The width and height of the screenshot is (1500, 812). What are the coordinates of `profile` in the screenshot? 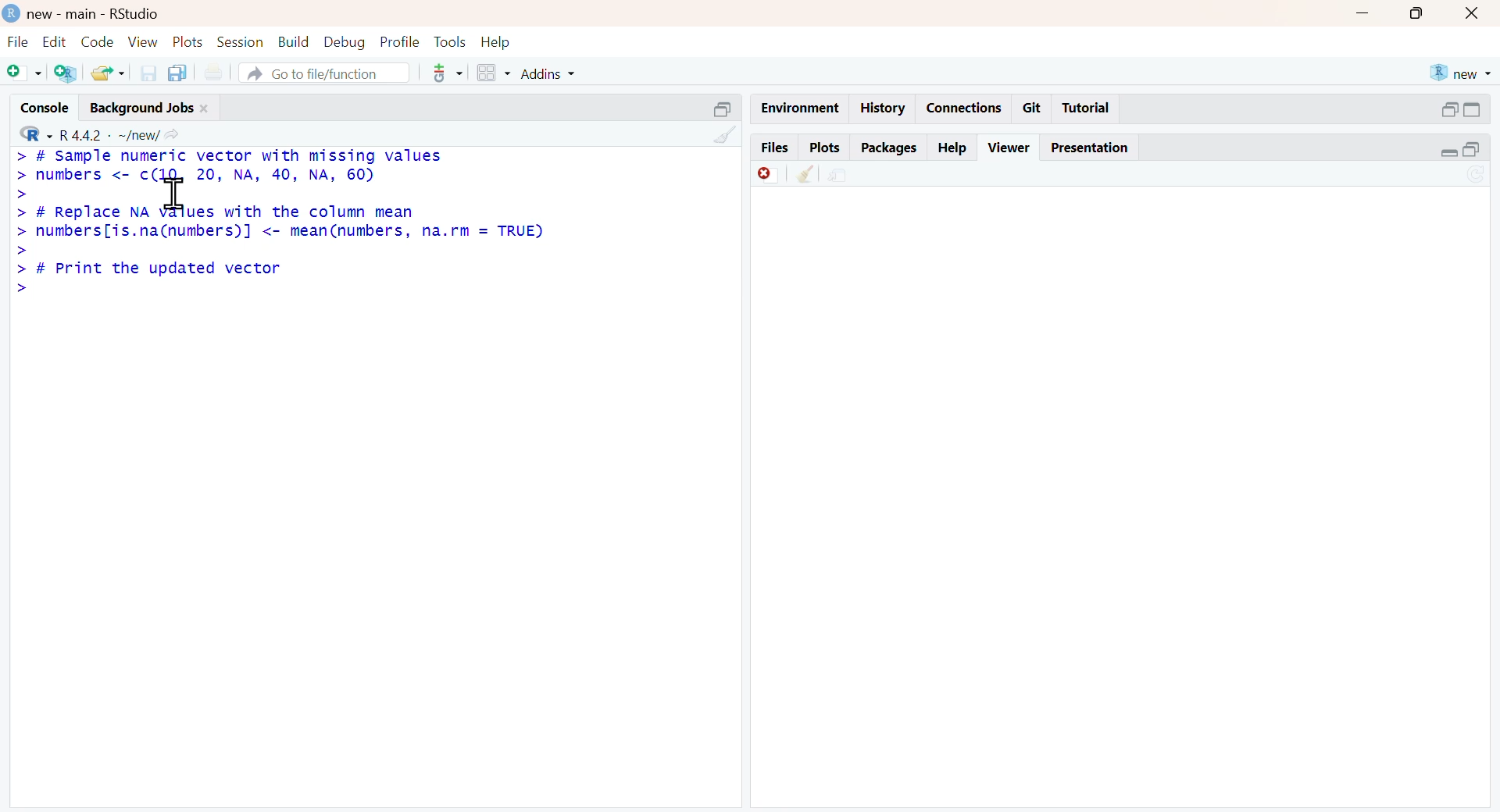 It's located at (402, 42).